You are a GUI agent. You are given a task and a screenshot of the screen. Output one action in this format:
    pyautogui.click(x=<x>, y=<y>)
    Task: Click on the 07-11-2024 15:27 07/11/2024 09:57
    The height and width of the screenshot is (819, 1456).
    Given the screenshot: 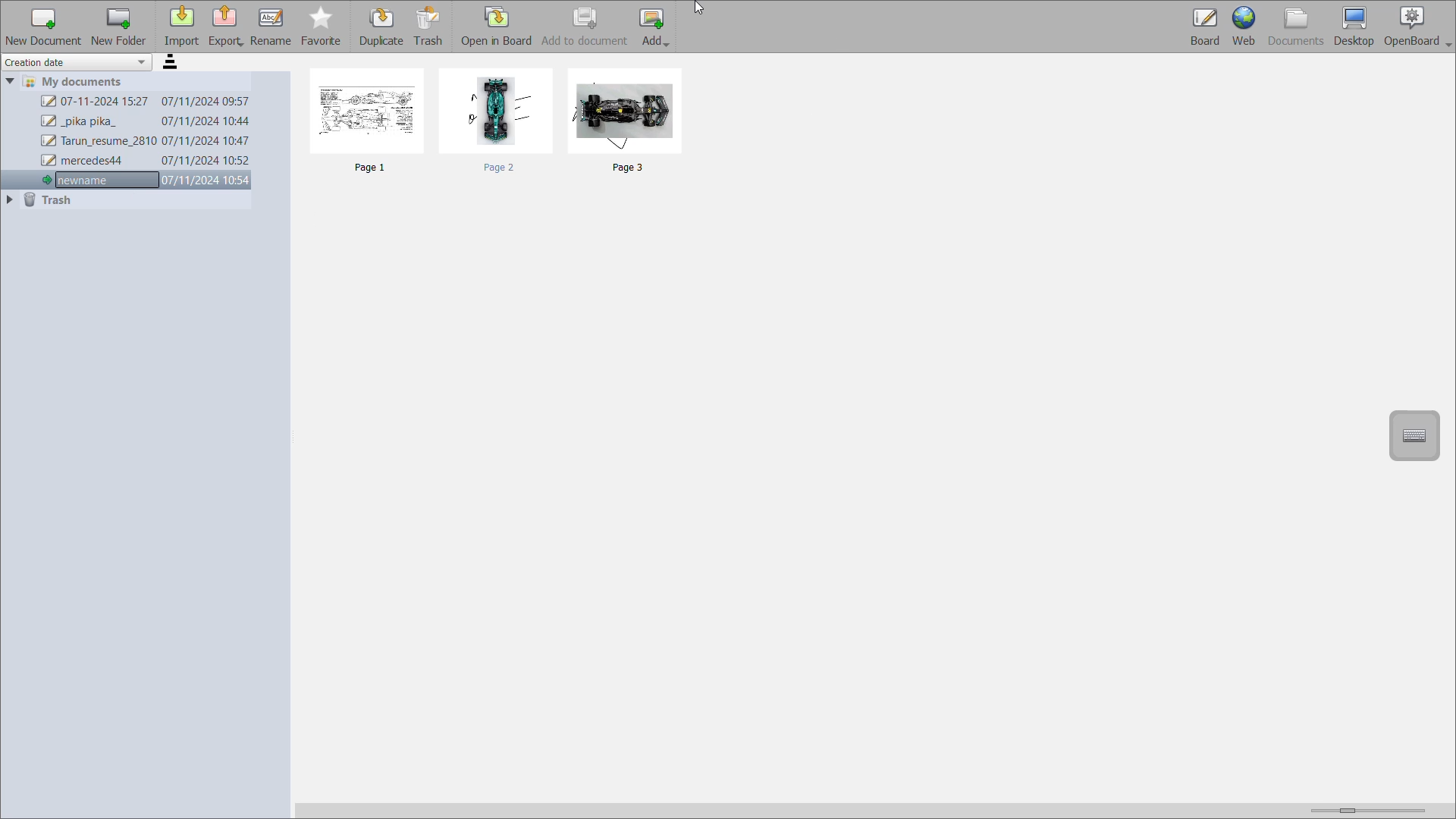 What is the action you would take?
    pyautogui.click(x=146, y=102)
    